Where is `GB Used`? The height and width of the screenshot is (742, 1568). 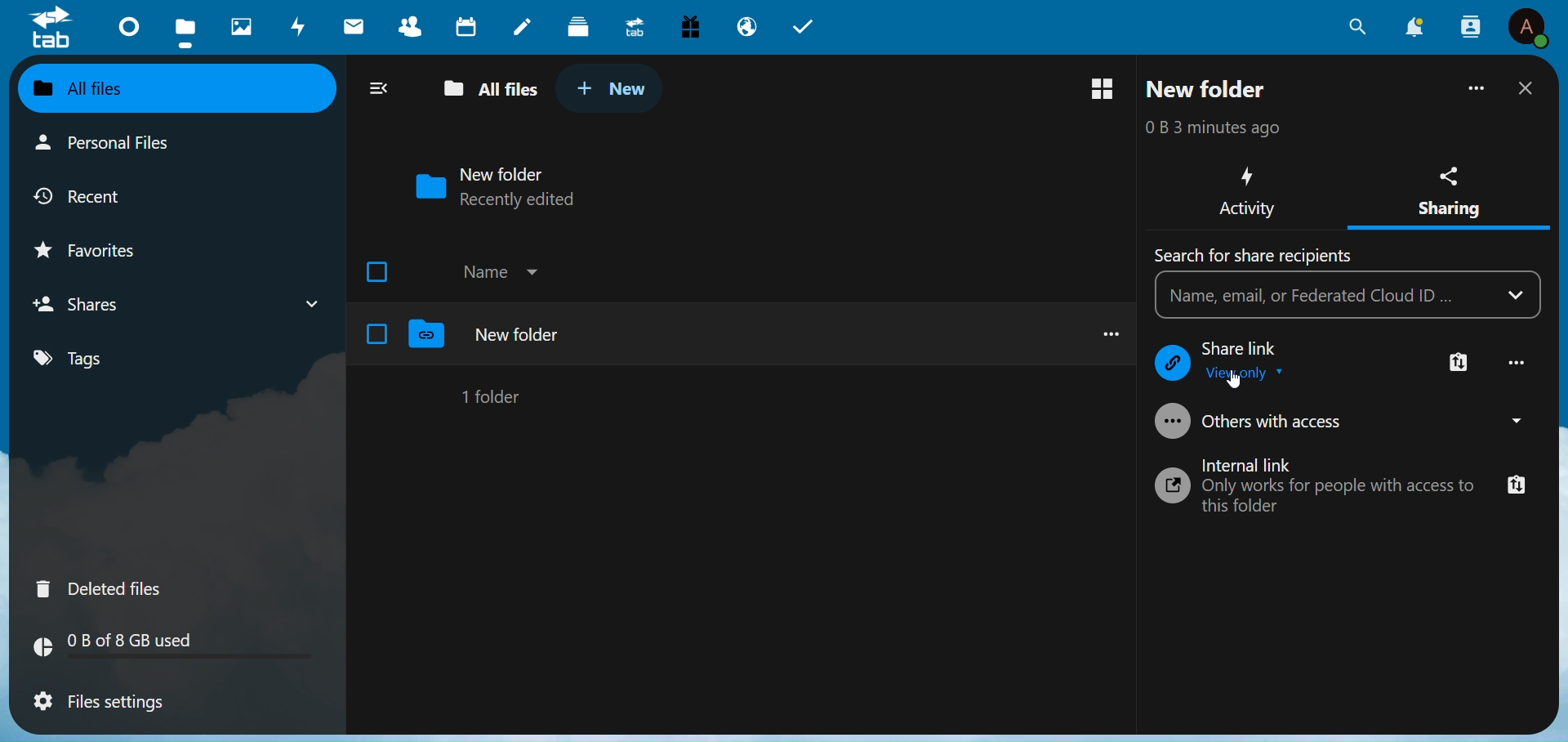 GB Used is located at coordinates (176, 649).